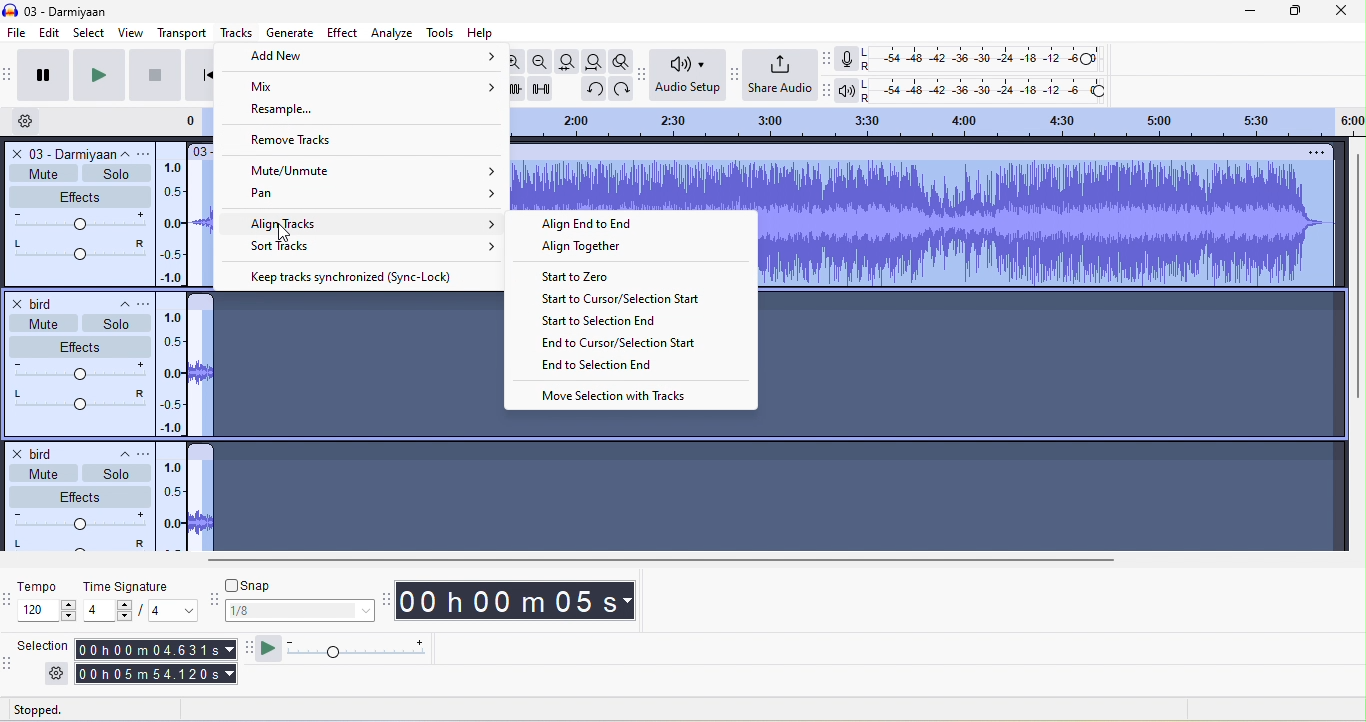 Image resolution: width=1366 pixels, height=722 pixels. What do you see at coordinates (170, 506) in the screenshot?
I see `linear` at bounding box center [170, 506].